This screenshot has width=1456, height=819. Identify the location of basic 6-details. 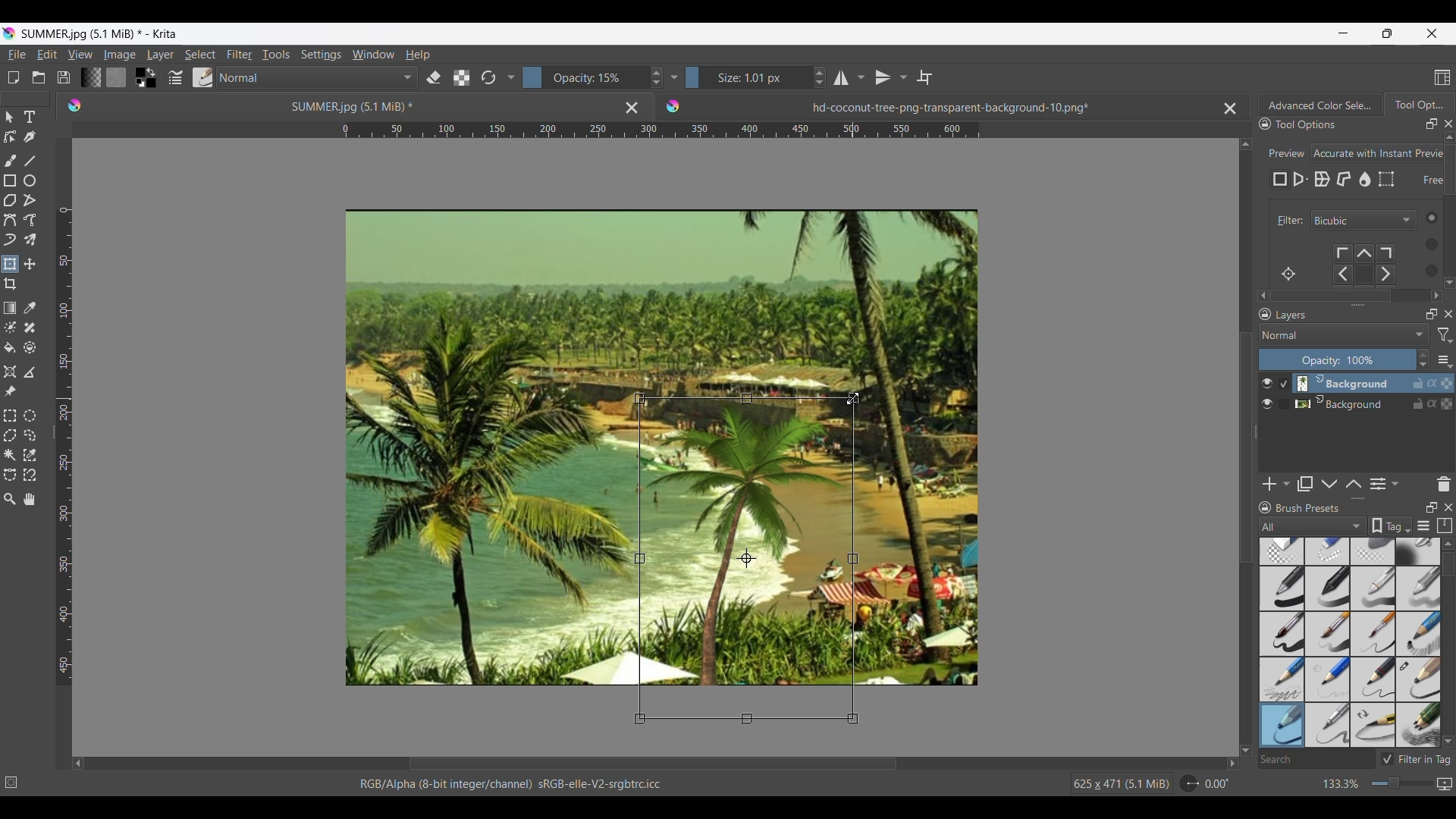
(1375, 634).